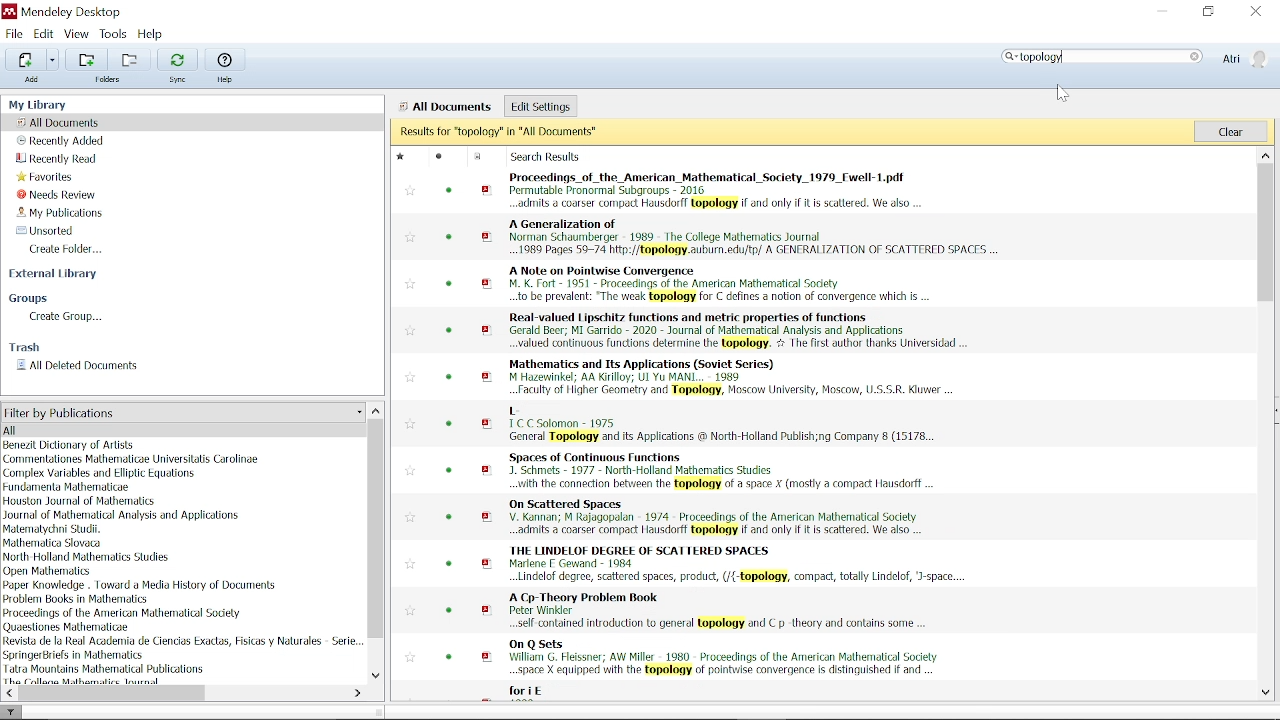  What do you see at coordinates (452, 425) in the screenshot?
I see `read` at bounding box center [452, 425].